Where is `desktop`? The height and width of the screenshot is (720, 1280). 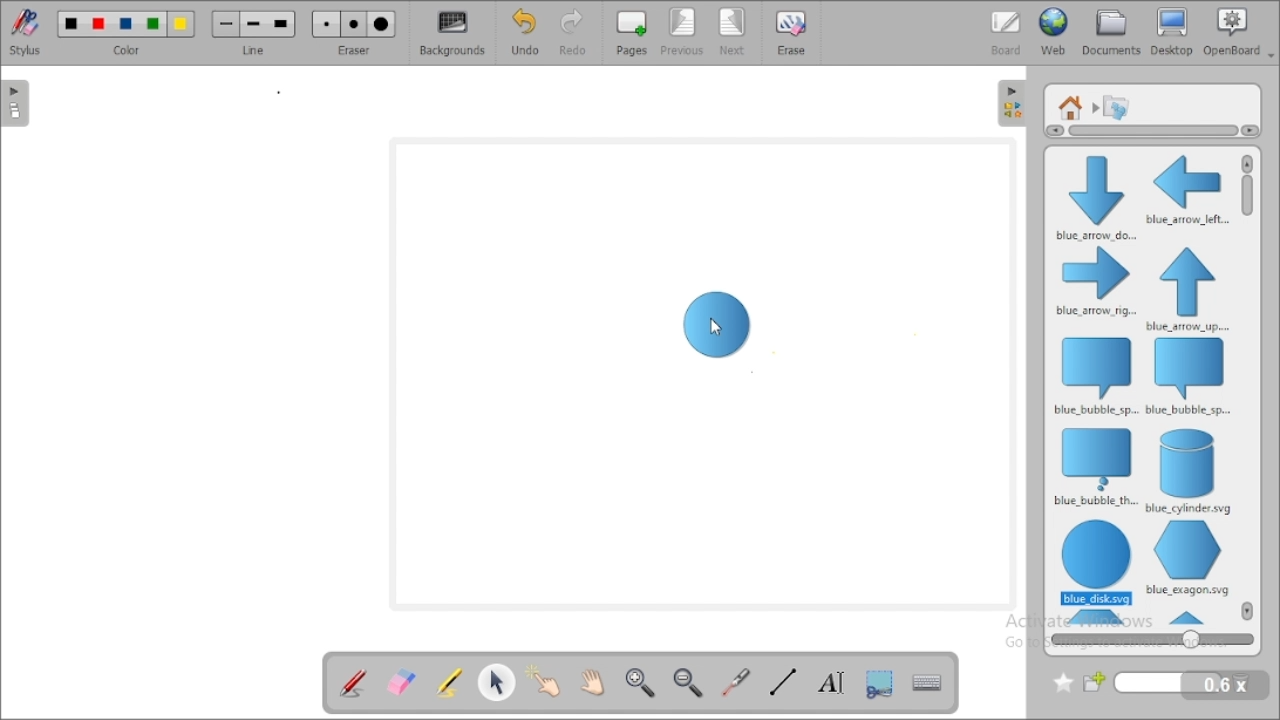 desktop is located at coordinates (1173, 32).